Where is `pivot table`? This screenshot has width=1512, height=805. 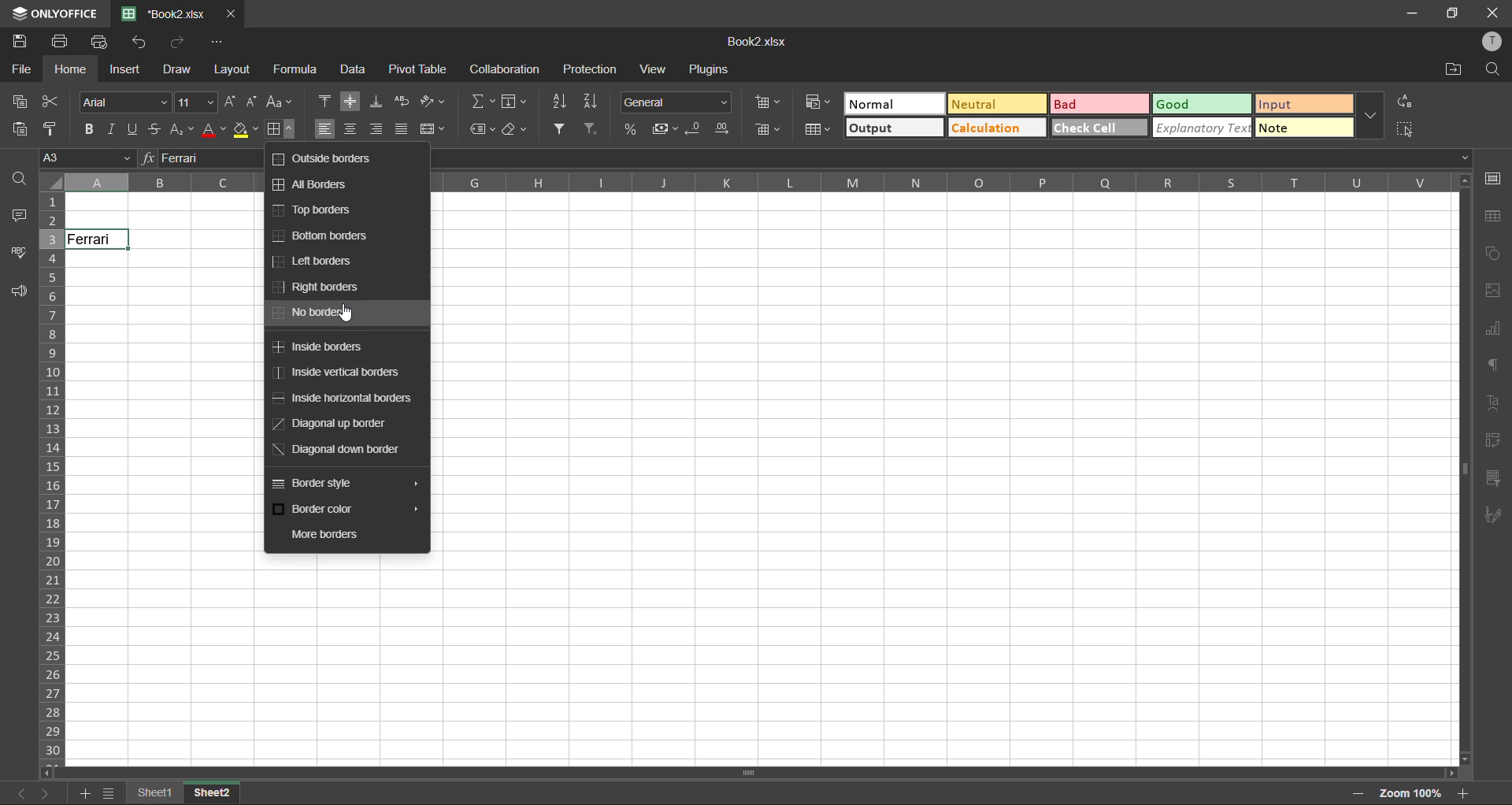 pivot table is located at coordinates (418, 69).